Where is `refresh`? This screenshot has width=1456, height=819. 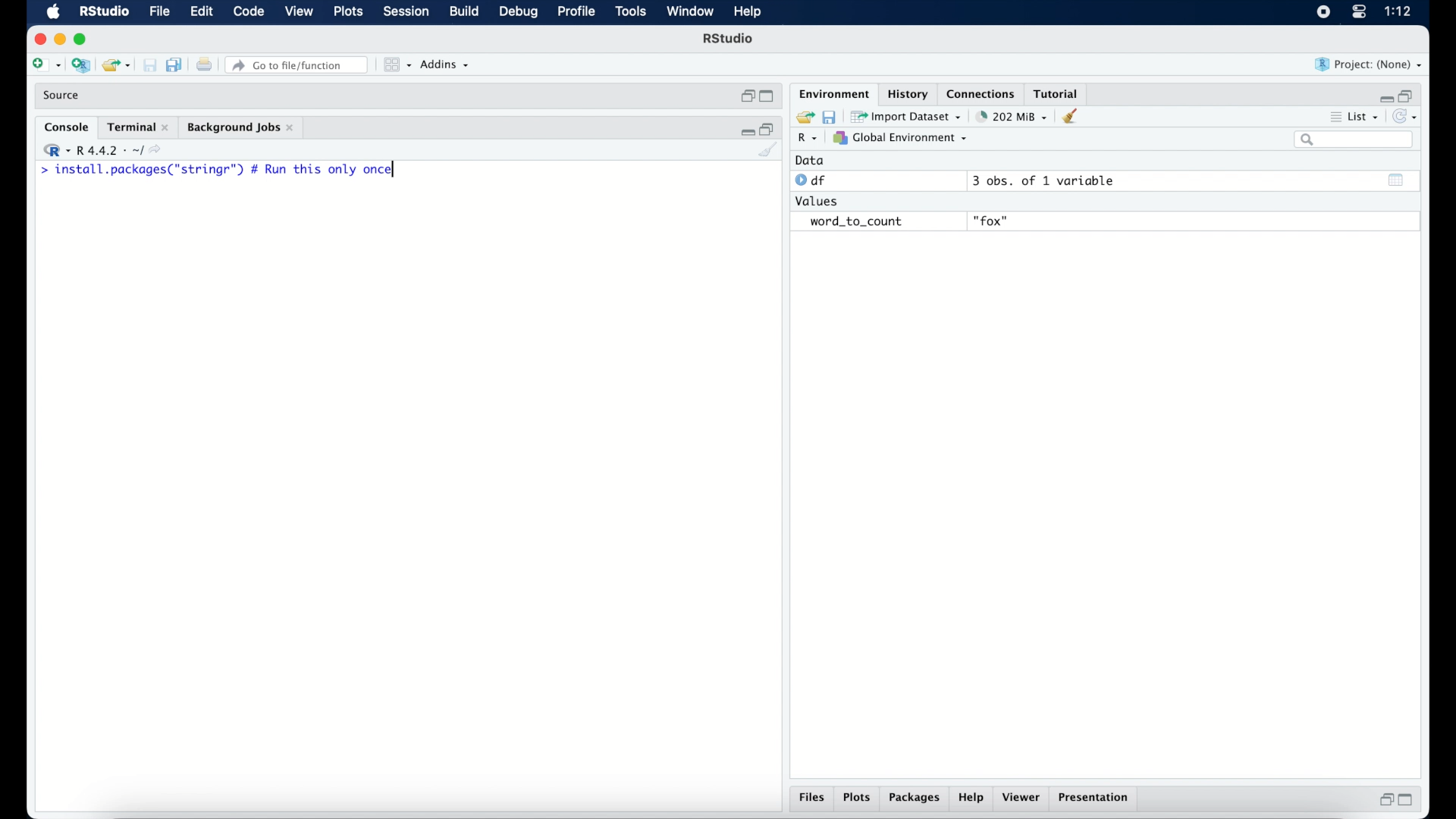 refresh is located at coordinates (1407, 117).